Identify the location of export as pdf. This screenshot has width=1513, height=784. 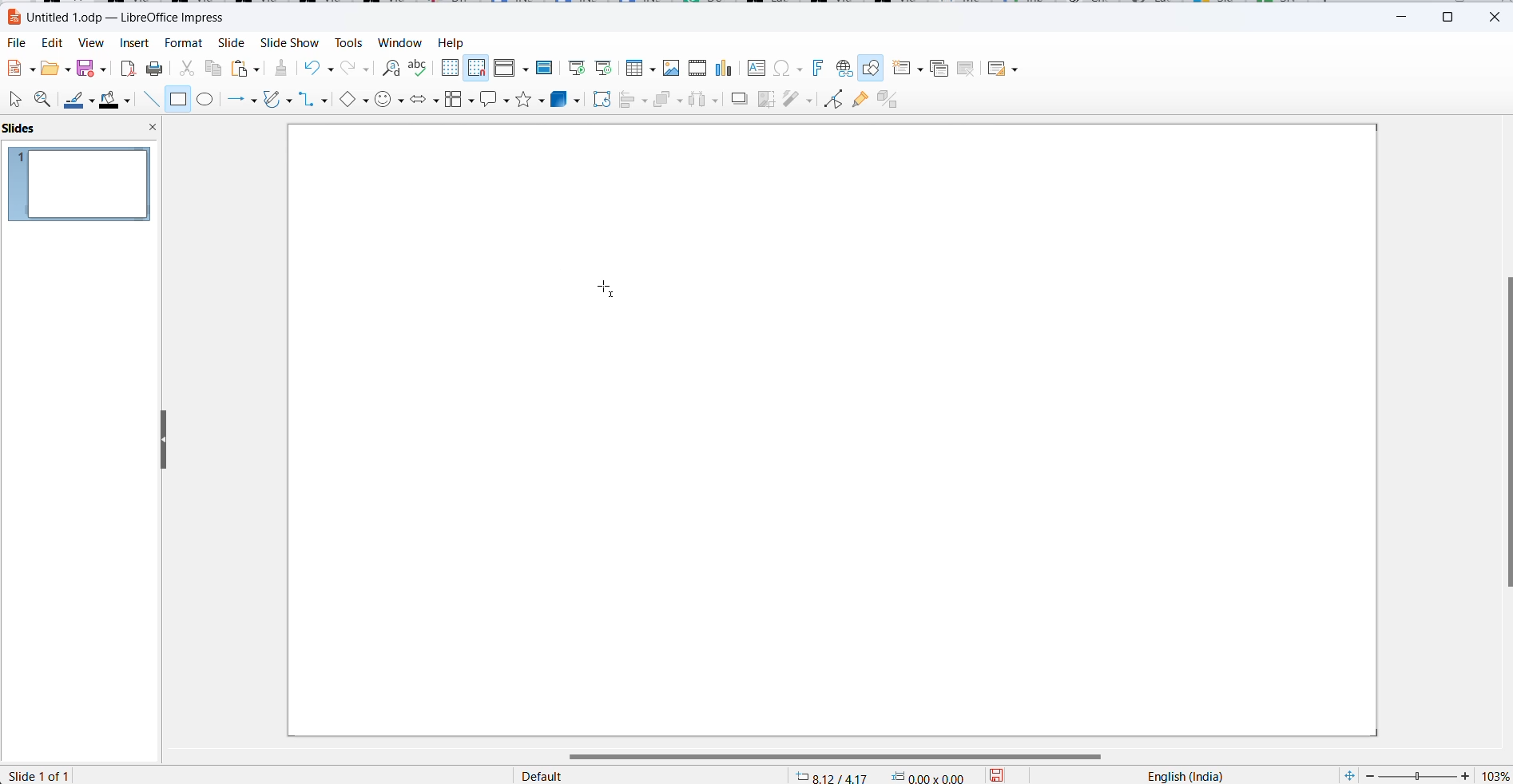
(126, 69).